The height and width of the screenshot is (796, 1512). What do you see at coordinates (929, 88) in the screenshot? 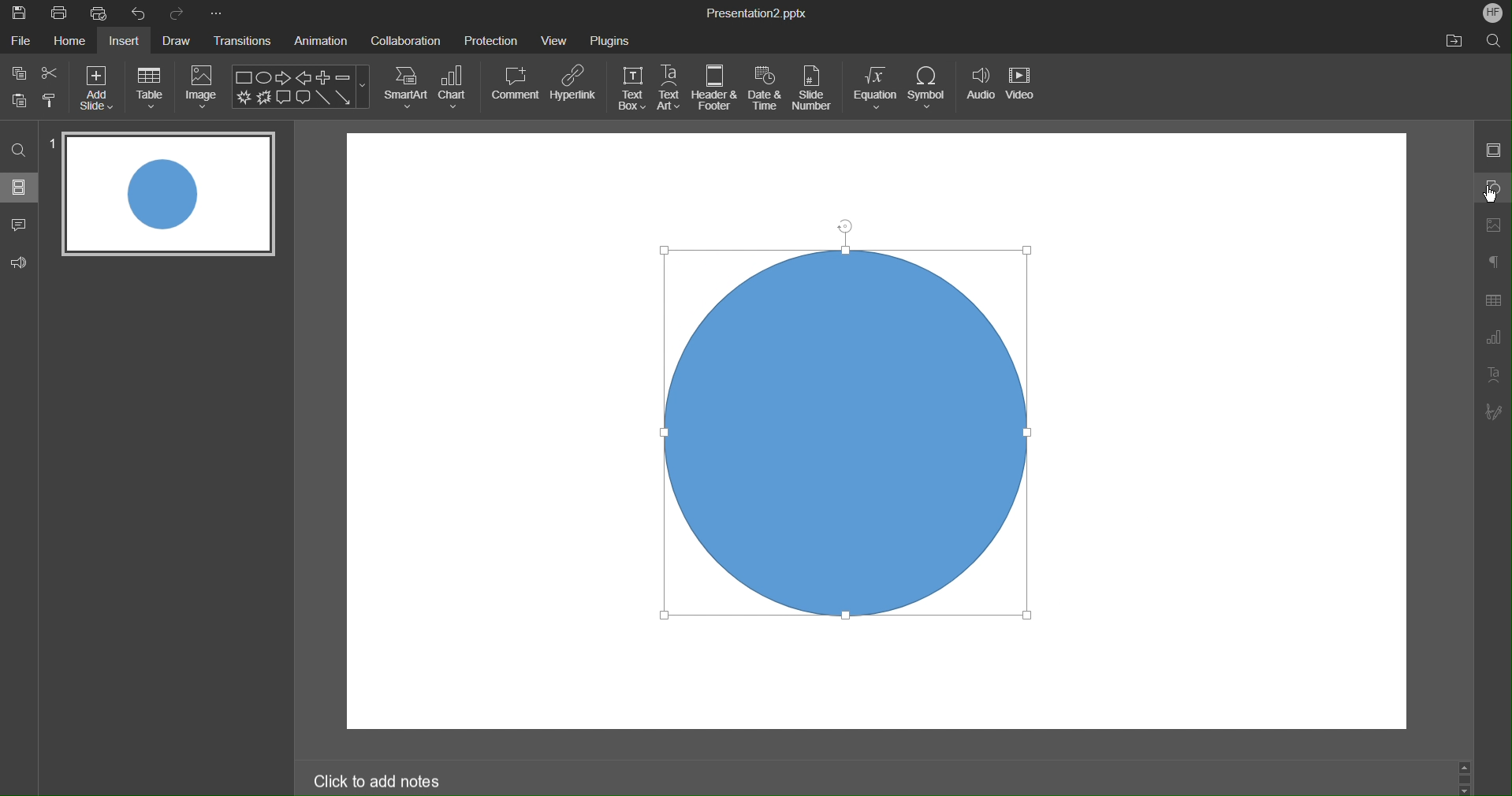
I see `Symbol` at bounding box center [929, 88].